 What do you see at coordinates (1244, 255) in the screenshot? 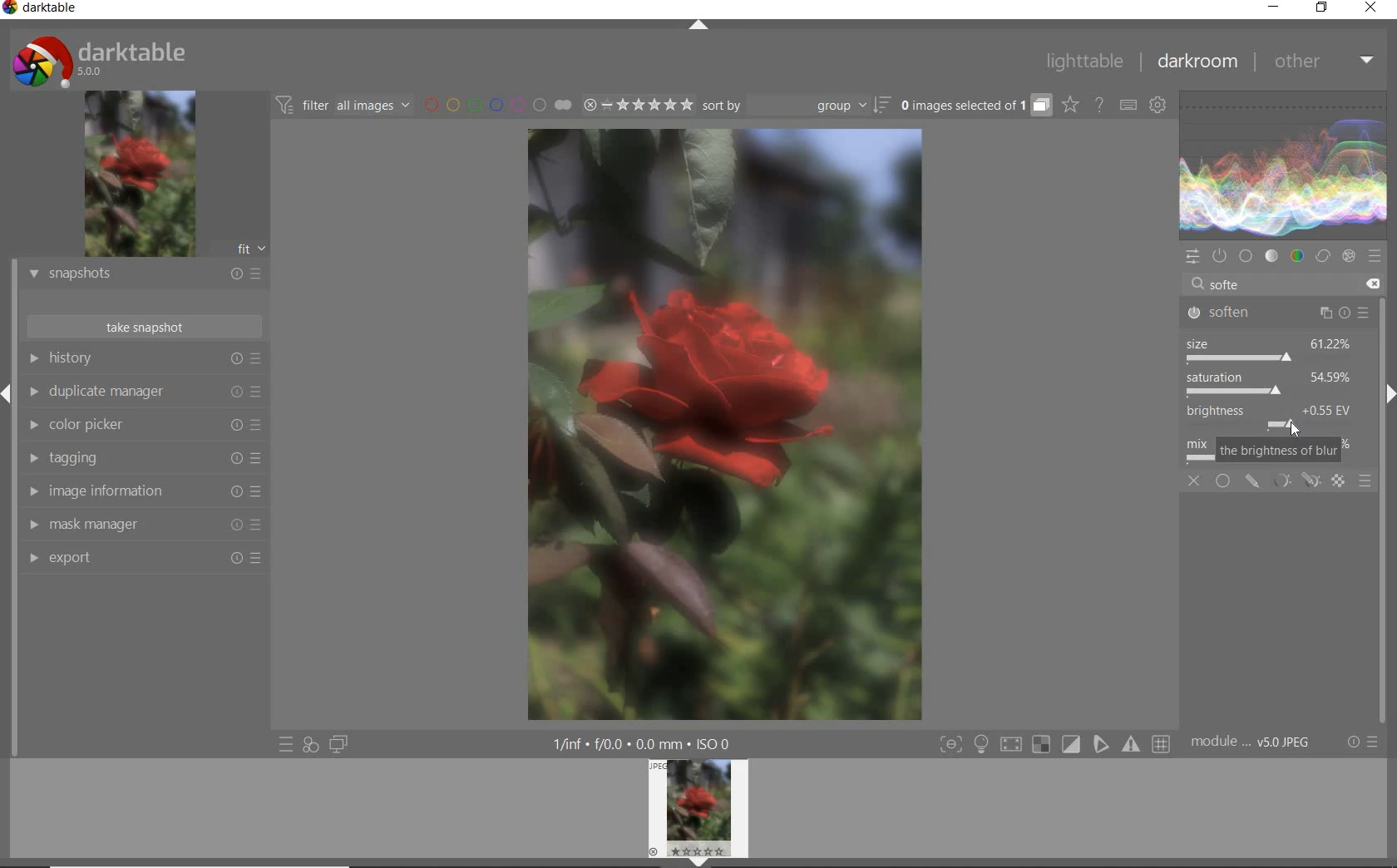
I see `base` at bounding box center [1244, 255].